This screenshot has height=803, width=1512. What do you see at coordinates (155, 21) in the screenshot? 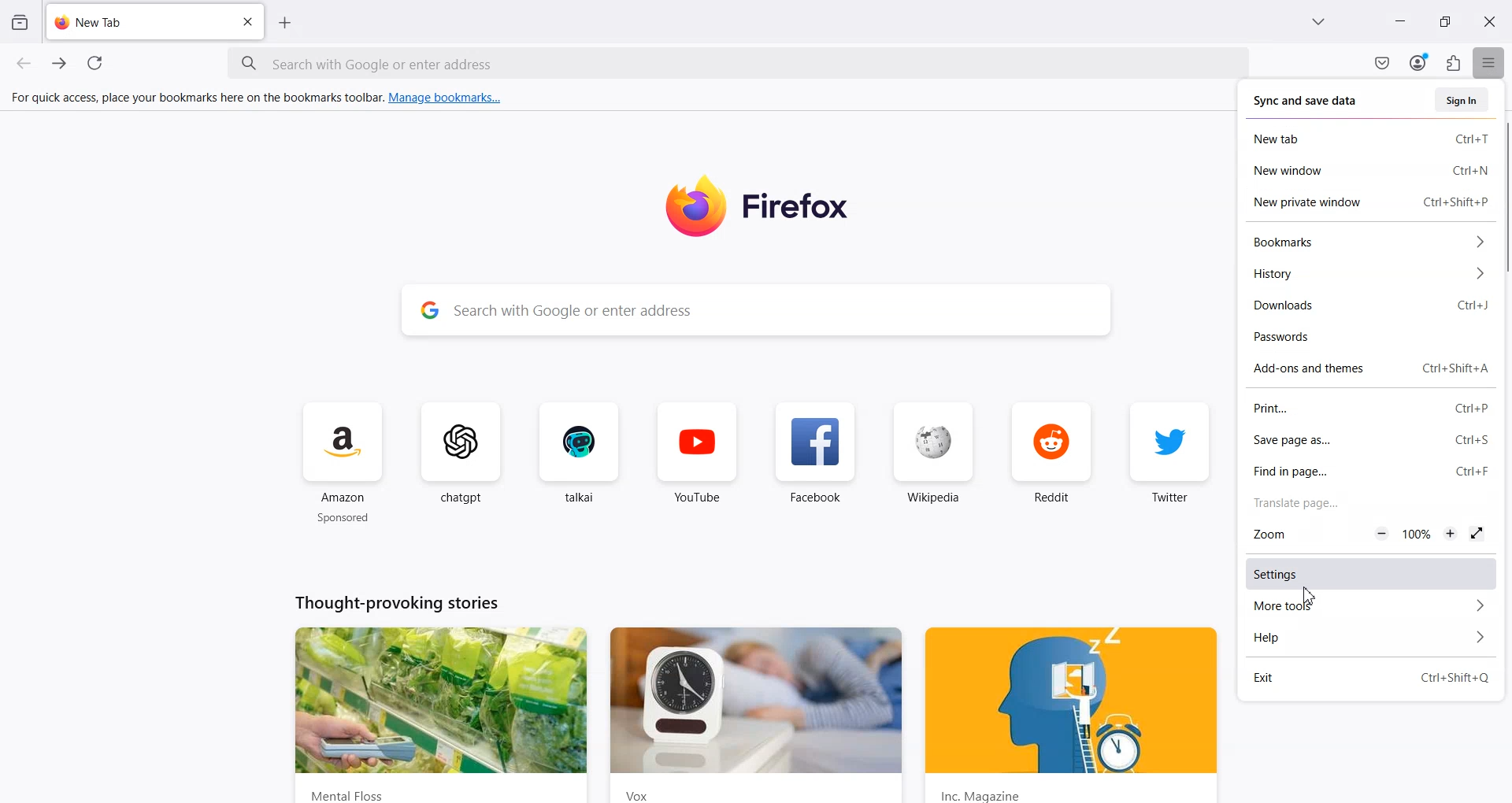
I see `New Tab` at bounding box center [155, 21].